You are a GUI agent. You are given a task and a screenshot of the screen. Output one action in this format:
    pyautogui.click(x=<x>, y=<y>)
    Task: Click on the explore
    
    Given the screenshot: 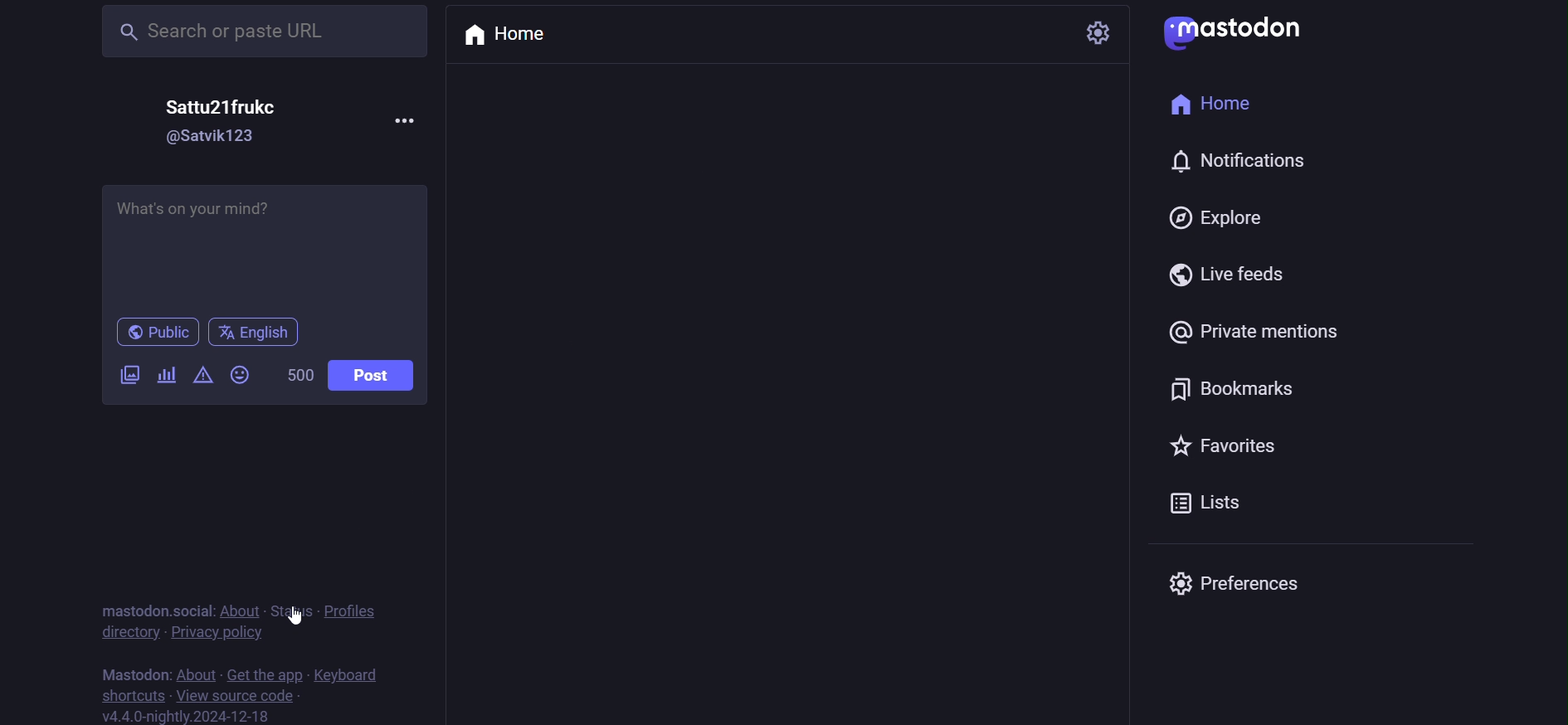 What is the action you would take?
    pyautogui.click(x=1214, y=215)
    